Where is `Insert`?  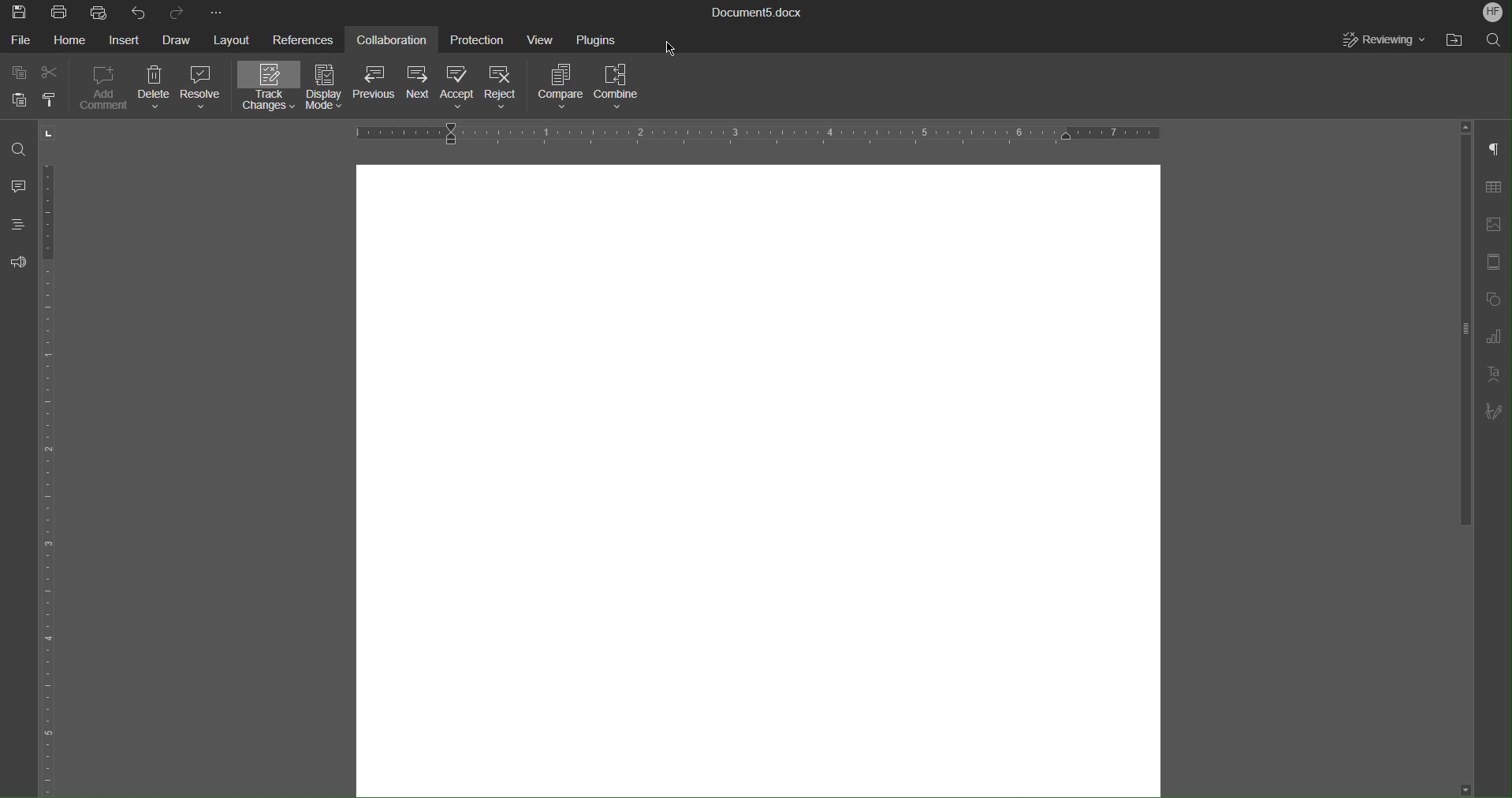 Insert is located at coordinates (132, 38).